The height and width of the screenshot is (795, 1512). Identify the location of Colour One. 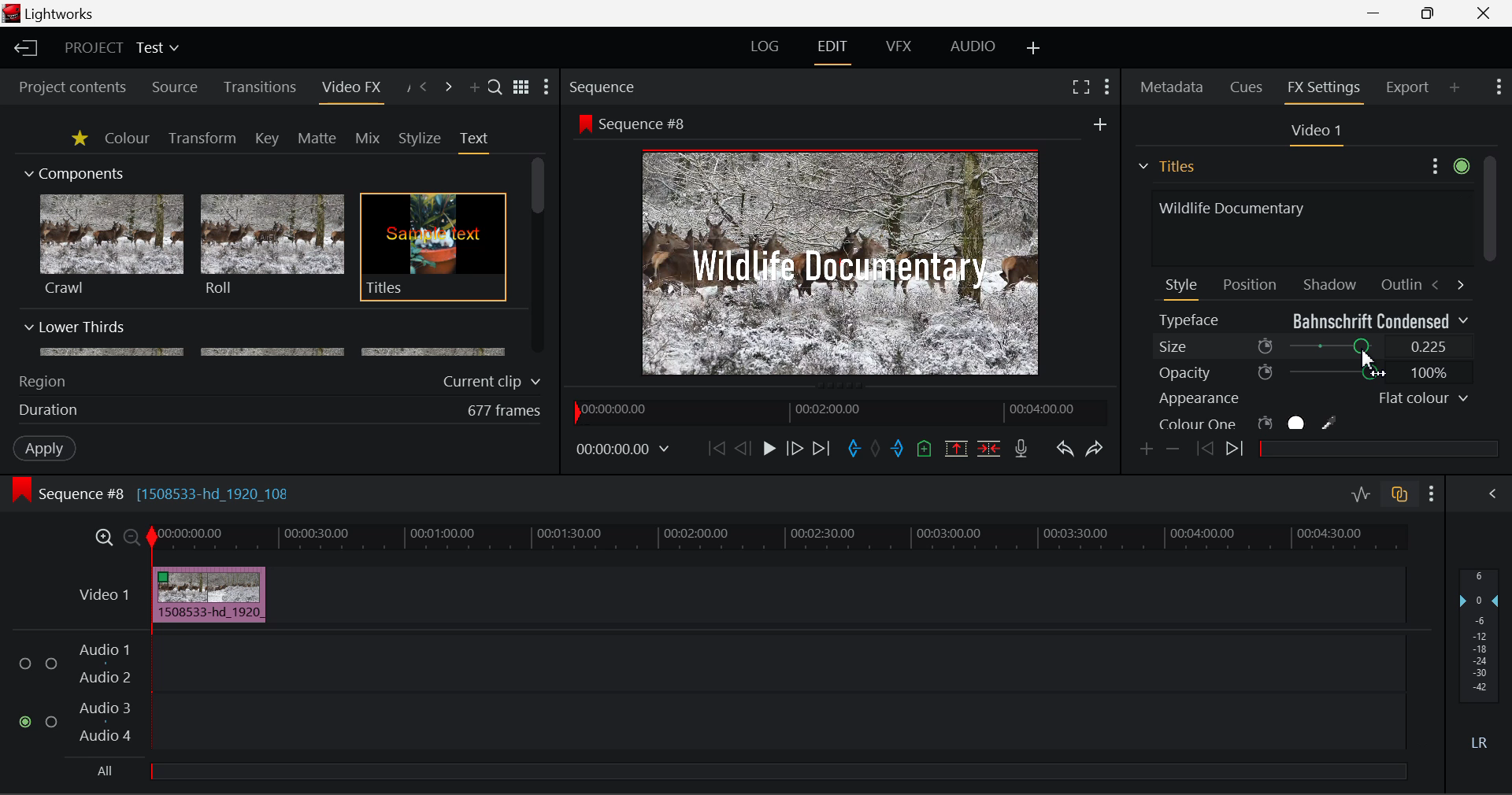
(1274, 423).